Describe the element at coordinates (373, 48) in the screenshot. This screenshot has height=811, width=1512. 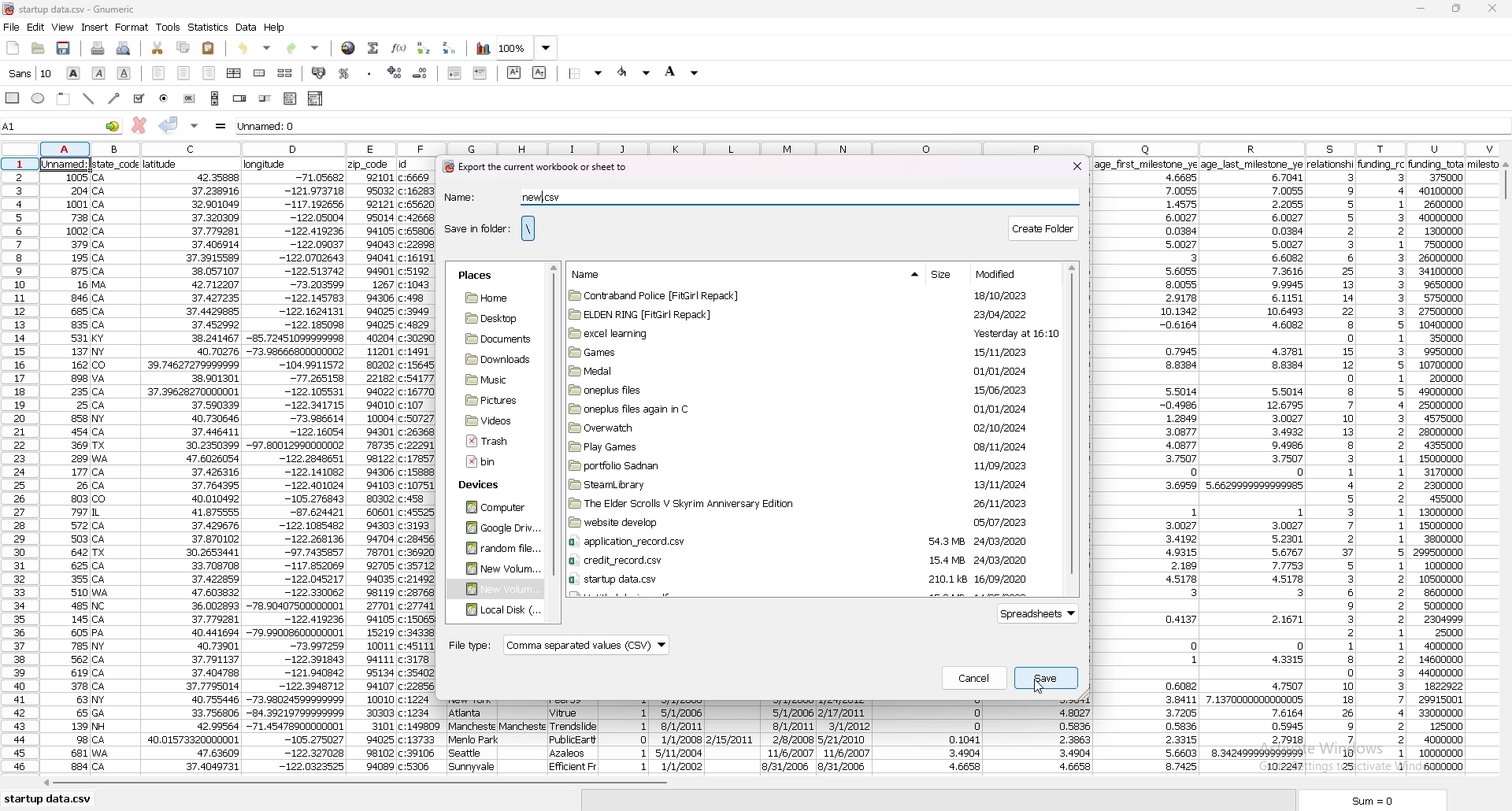
I see `summation` at that location.